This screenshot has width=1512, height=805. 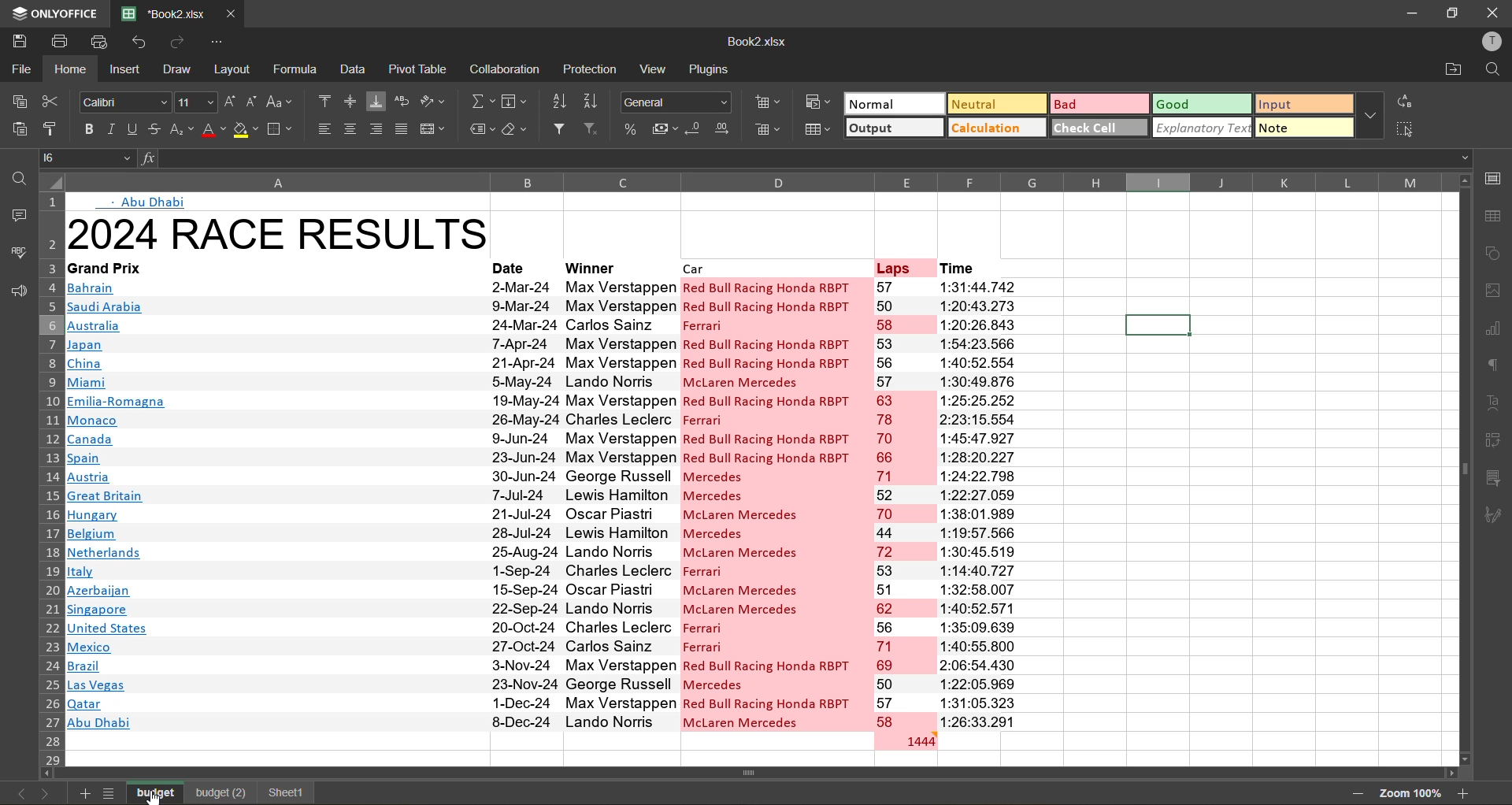 What do you see at coordinates (17, 129) in the screenshot?
I see `paste` at bounding box center [17, 129].